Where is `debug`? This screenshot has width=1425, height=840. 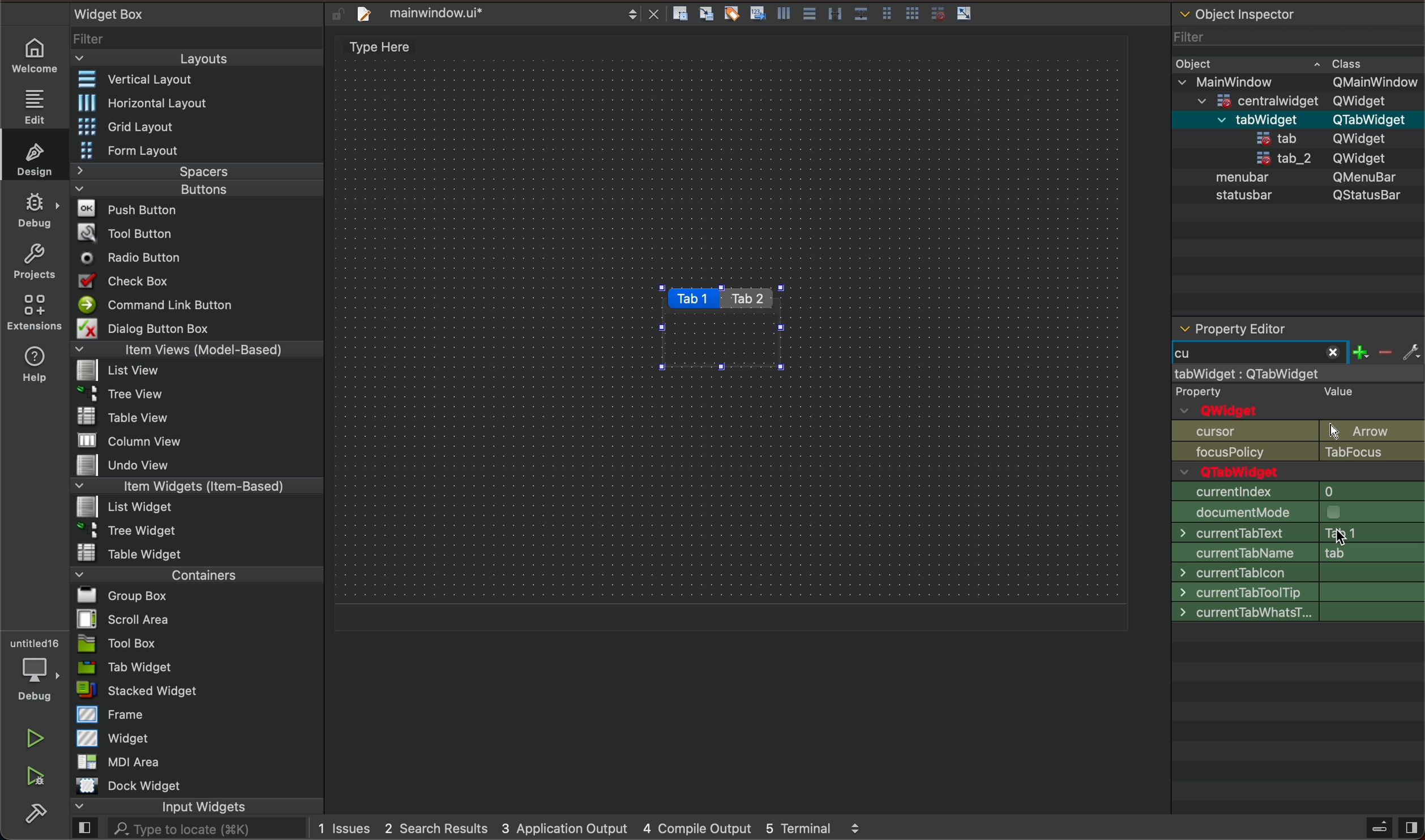
debug is located at coordinates (35, 209).